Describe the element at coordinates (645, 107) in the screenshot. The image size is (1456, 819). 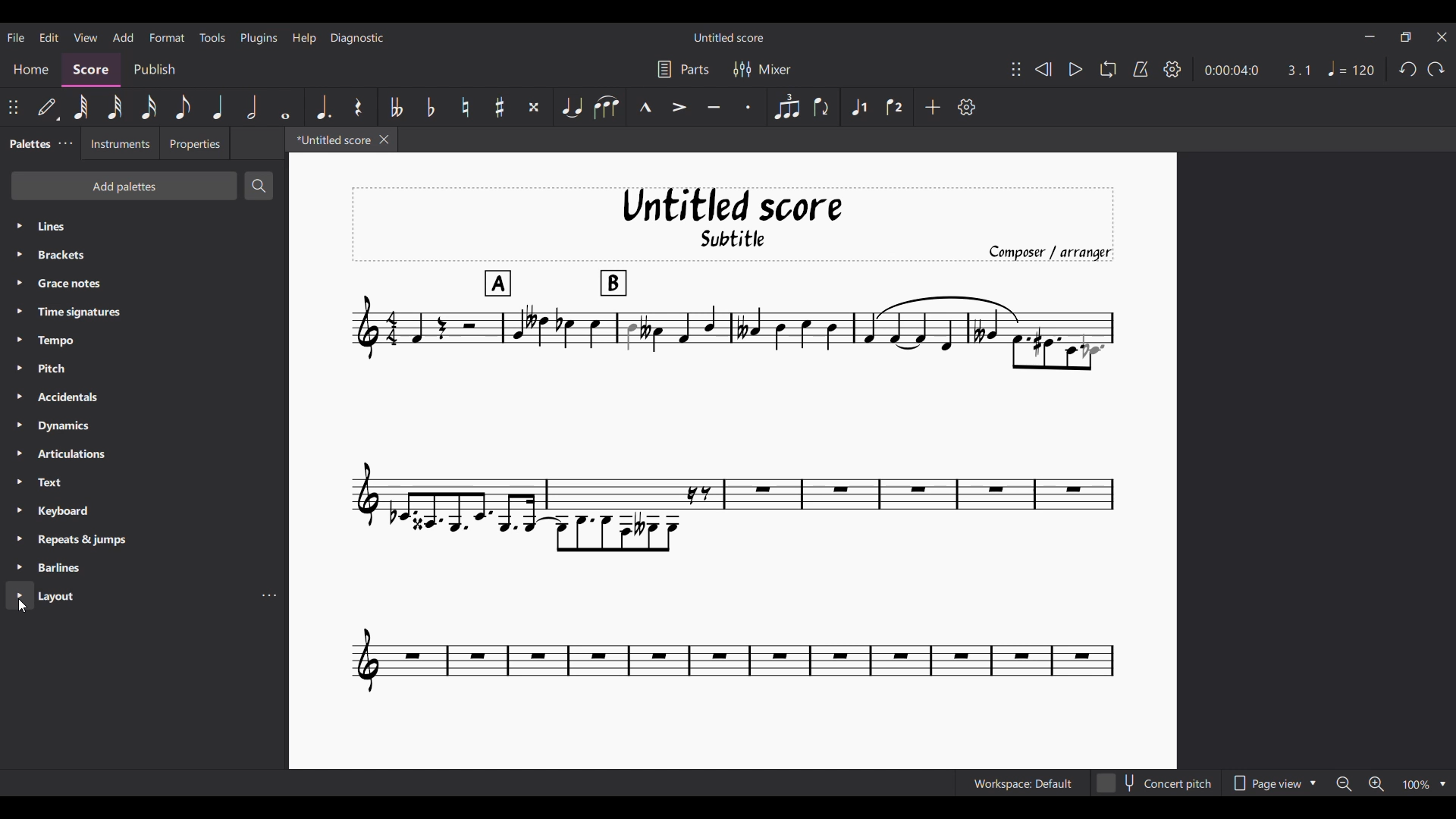
I see `Marcato` at that location.